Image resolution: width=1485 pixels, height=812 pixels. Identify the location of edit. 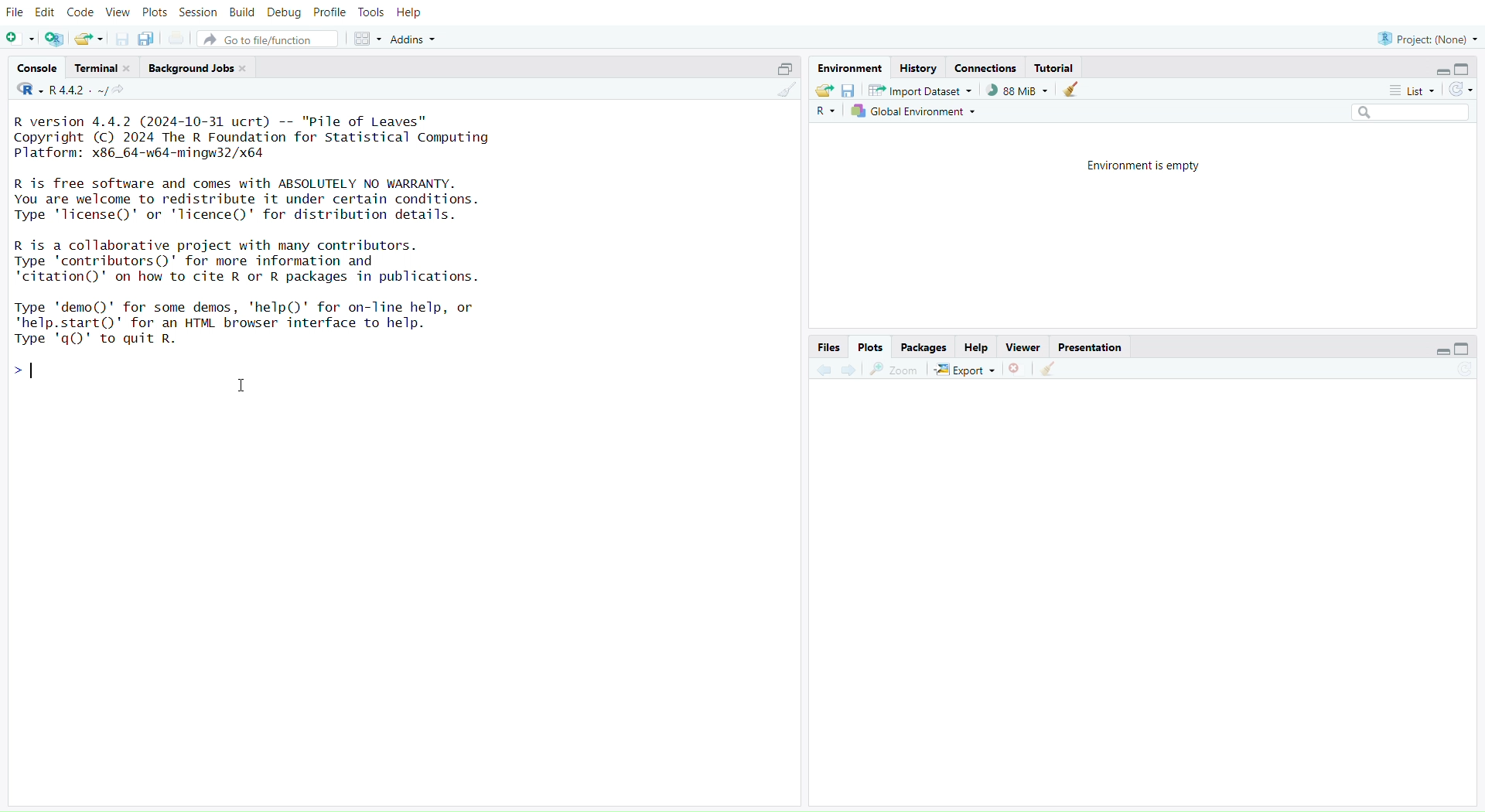
(45, 13).